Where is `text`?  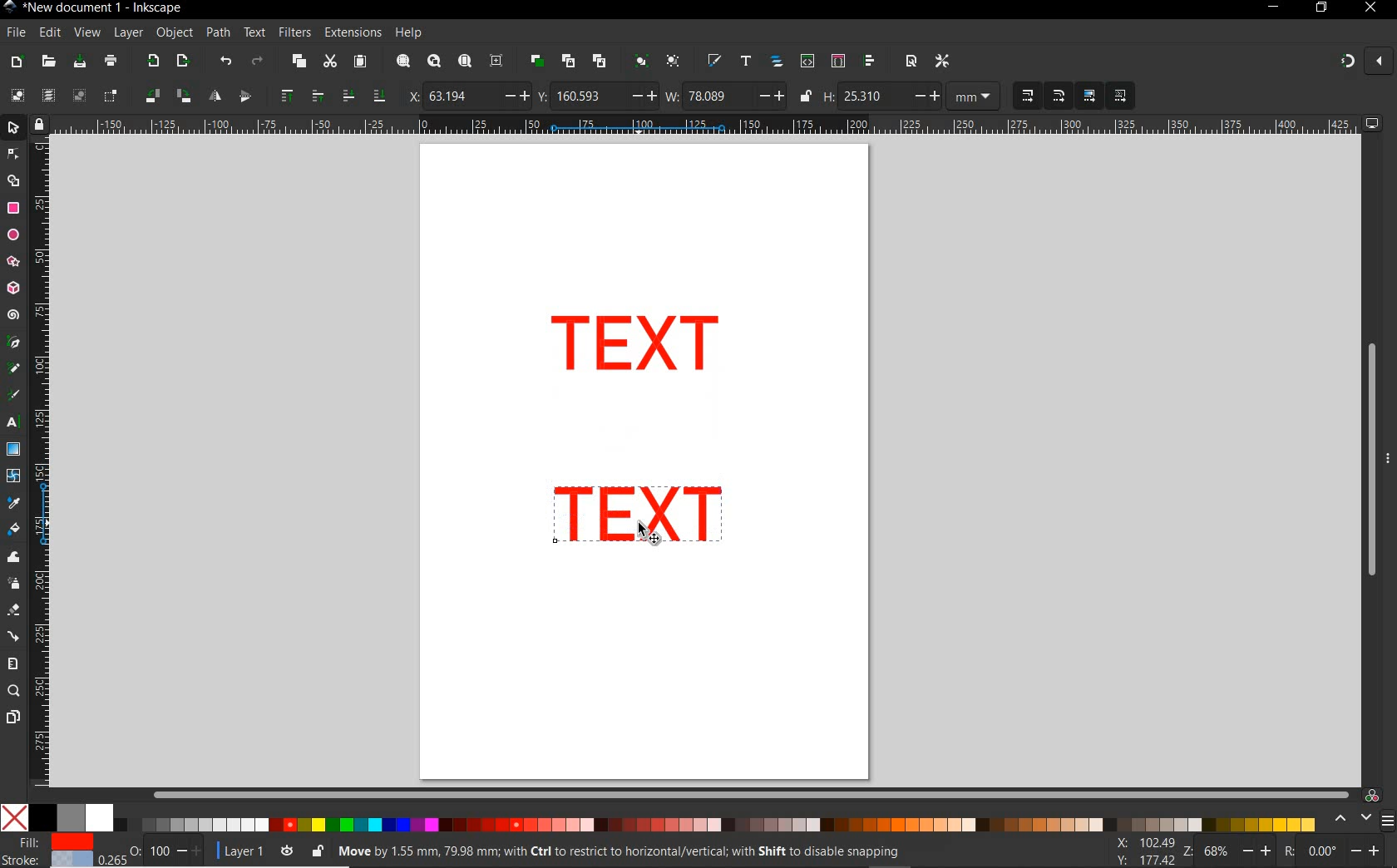 text is located at coordinates (255, 33).